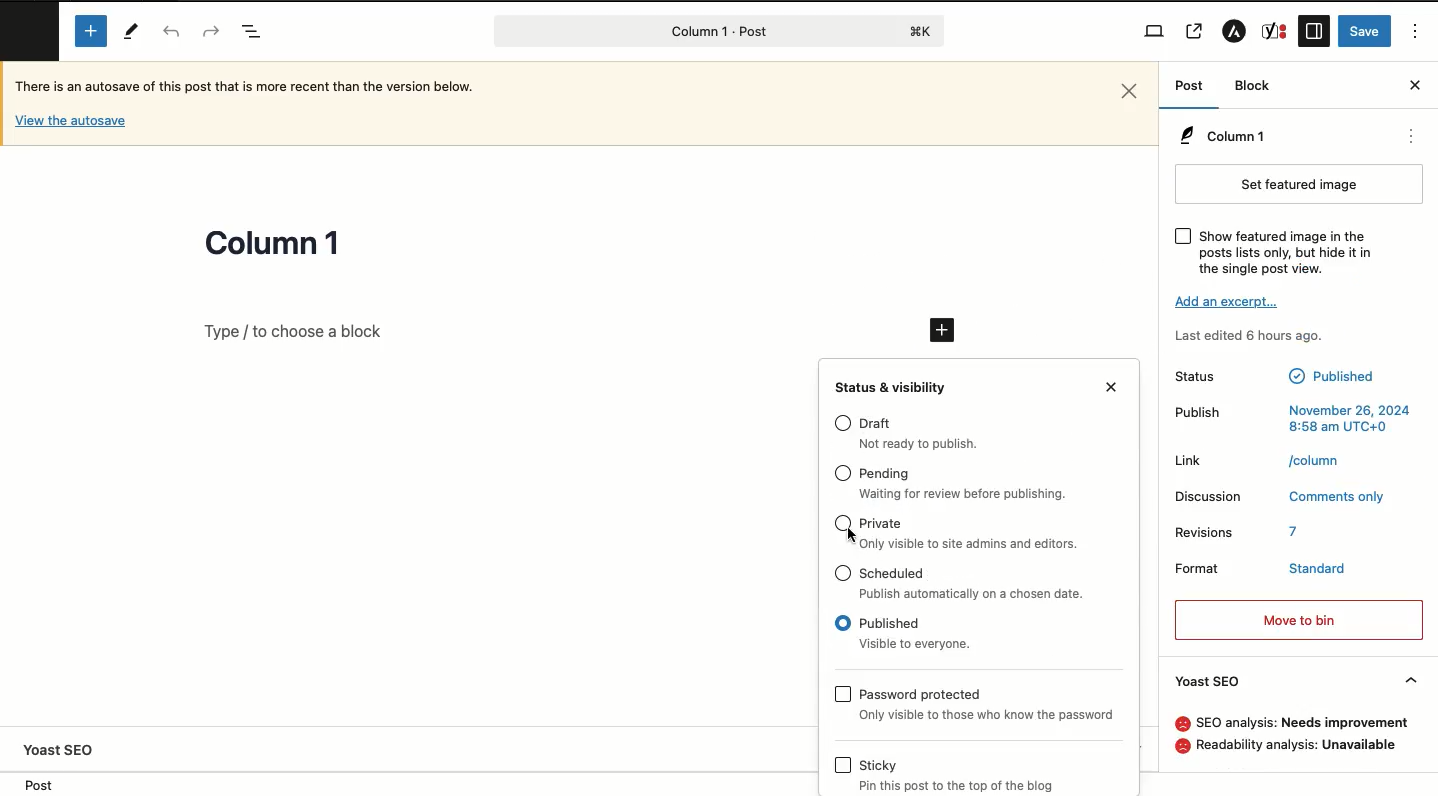 This screenshot has height=796, width=1438. I want to click on Checkbox, so click(842, 524).